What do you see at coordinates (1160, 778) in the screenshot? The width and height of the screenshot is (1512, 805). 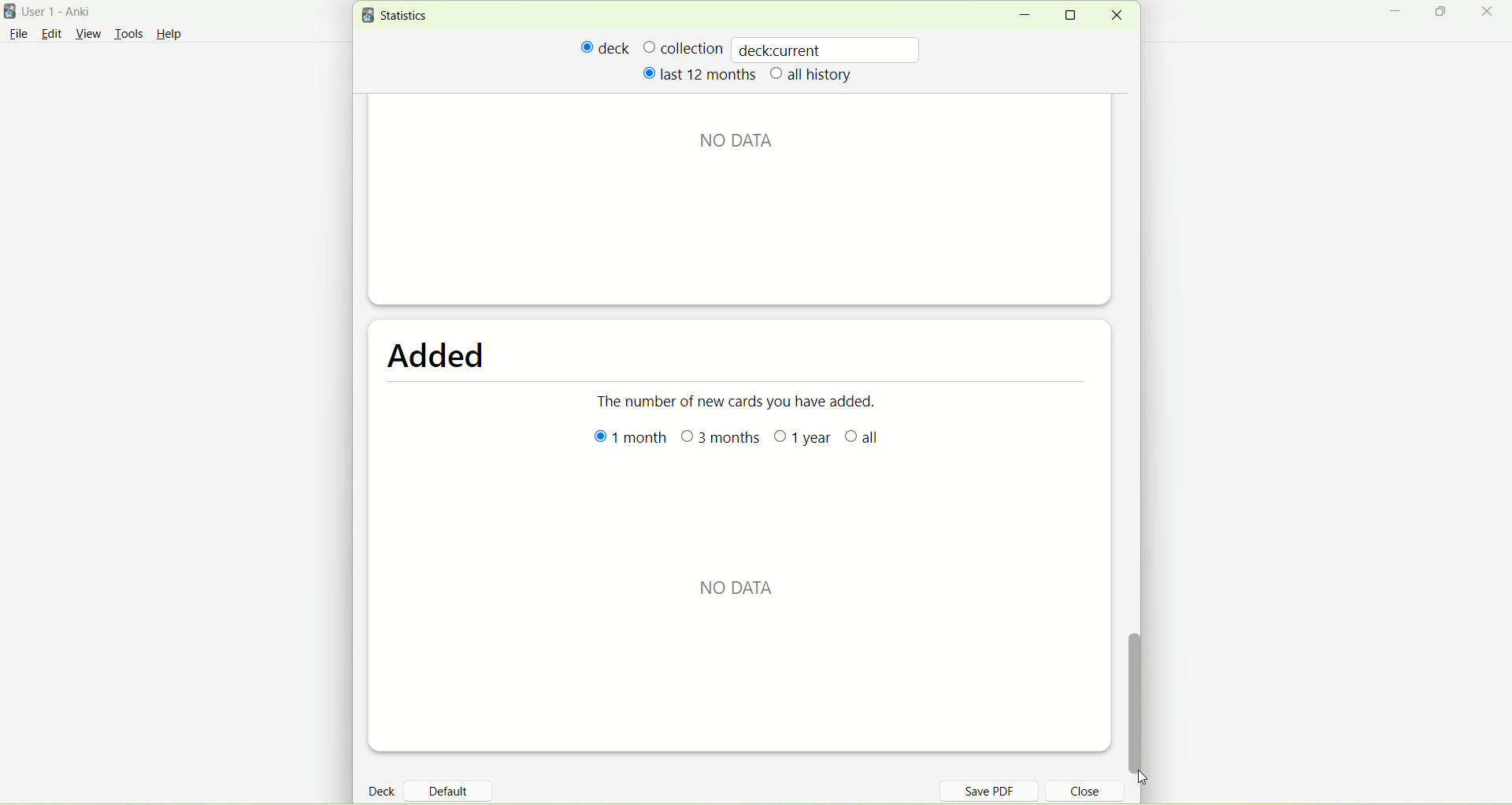 I see `cursor` at bounding box center [1160, 778].